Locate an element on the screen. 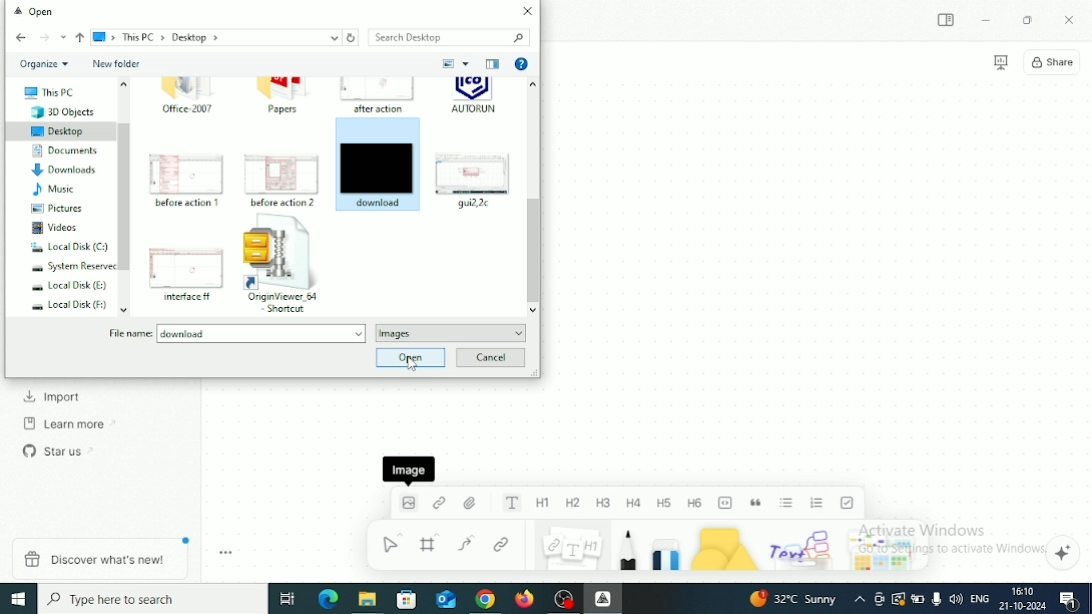 The image size is (1092, 614). Downloads is located at coordinates (57, 170).